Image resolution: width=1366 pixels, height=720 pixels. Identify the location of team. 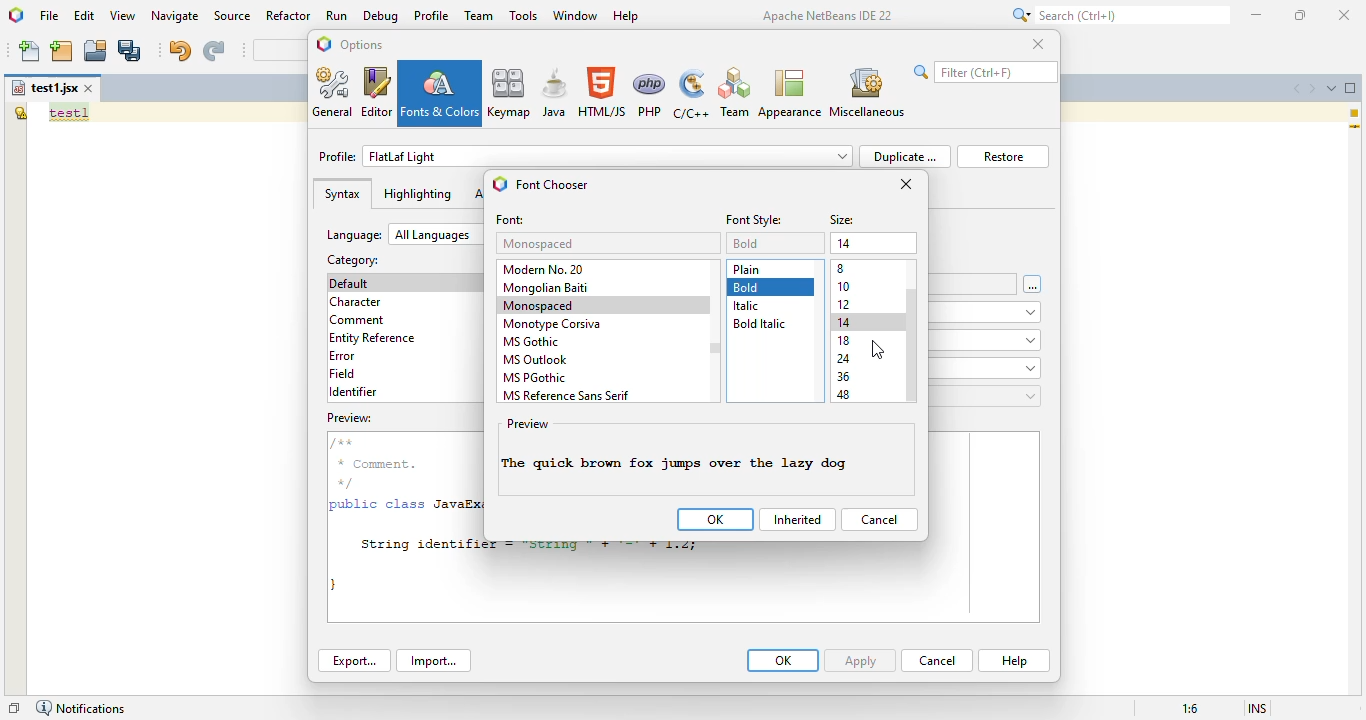
(480, 15).